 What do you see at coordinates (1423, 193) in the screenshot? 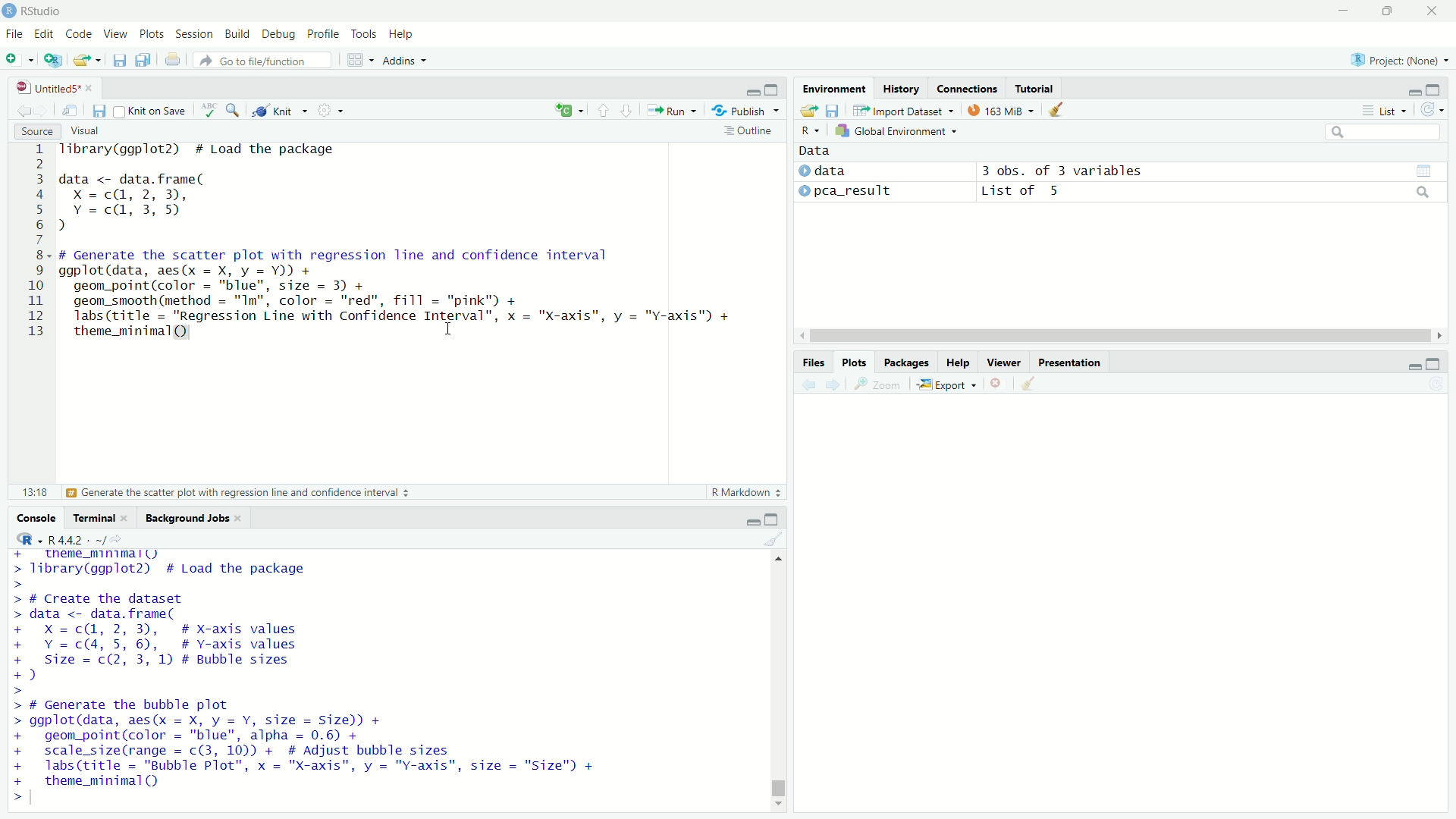
I see `search` at bounding box center [1423, 193].